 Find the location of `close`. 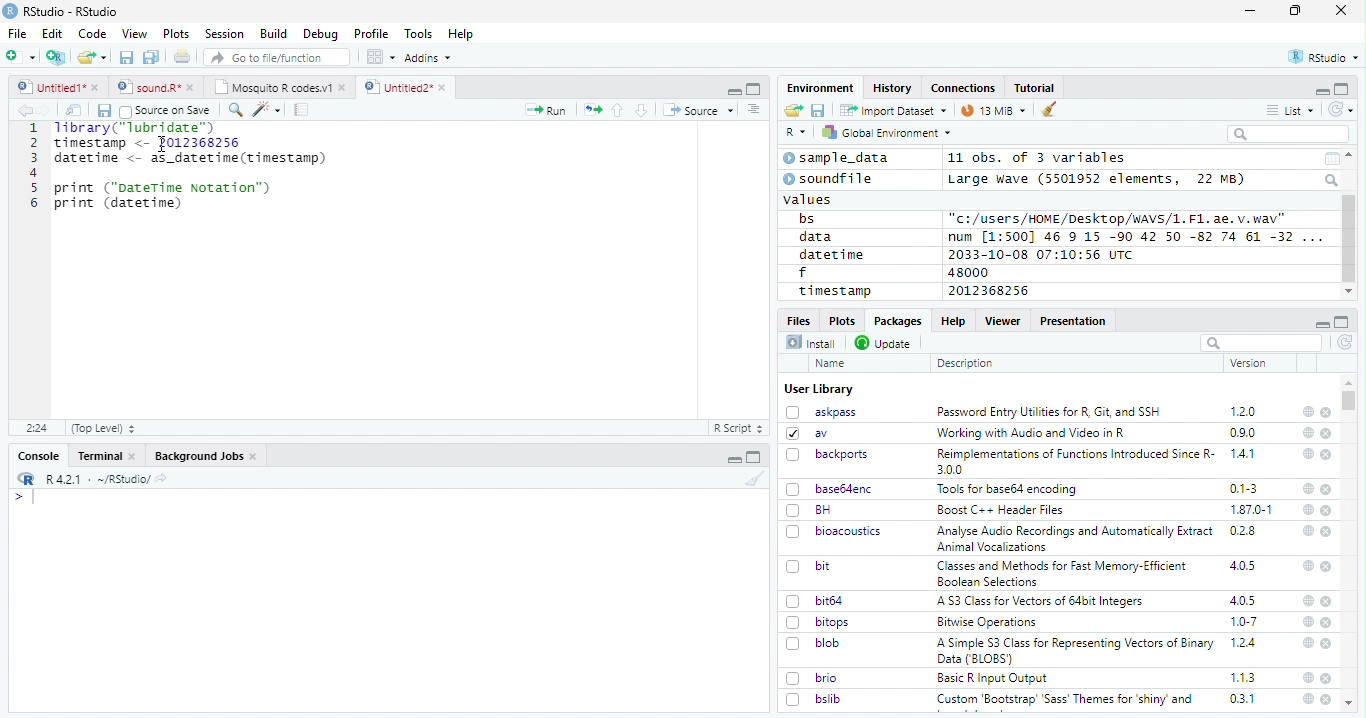

close is located at coordinates (1327, 678).